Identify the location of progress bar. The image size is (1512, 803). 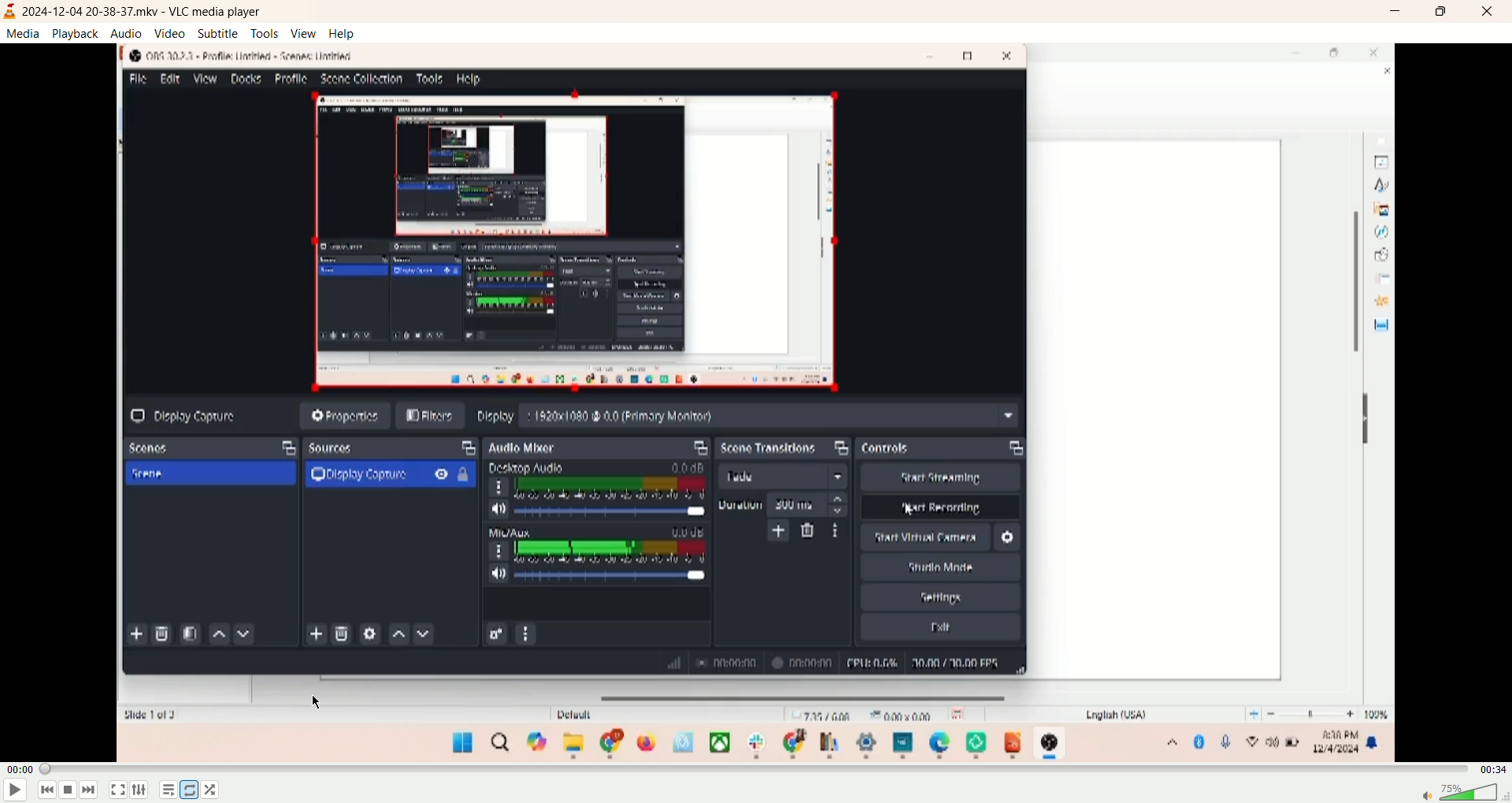
(754, 770).